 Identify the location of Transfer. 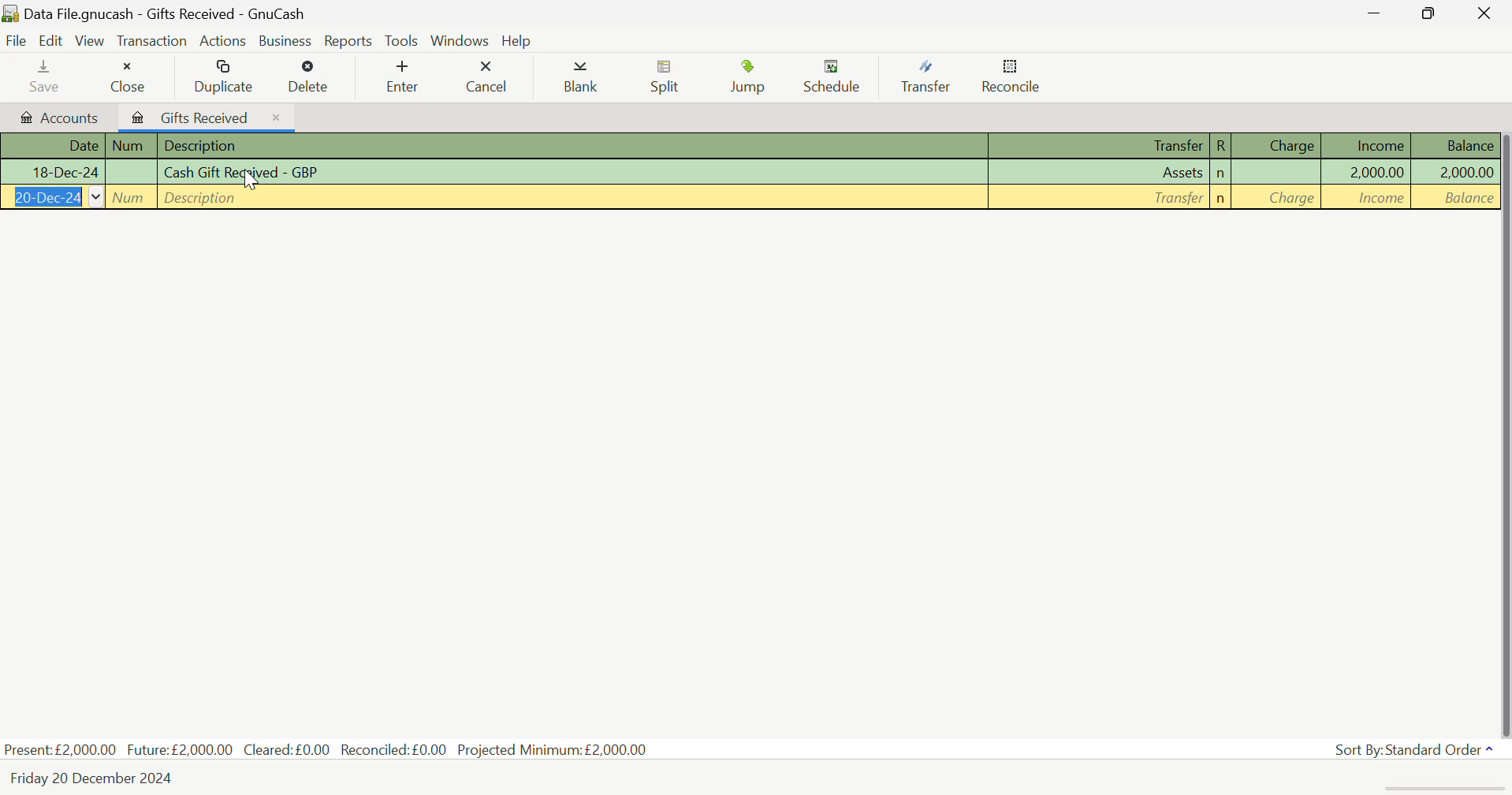
(932, 77).